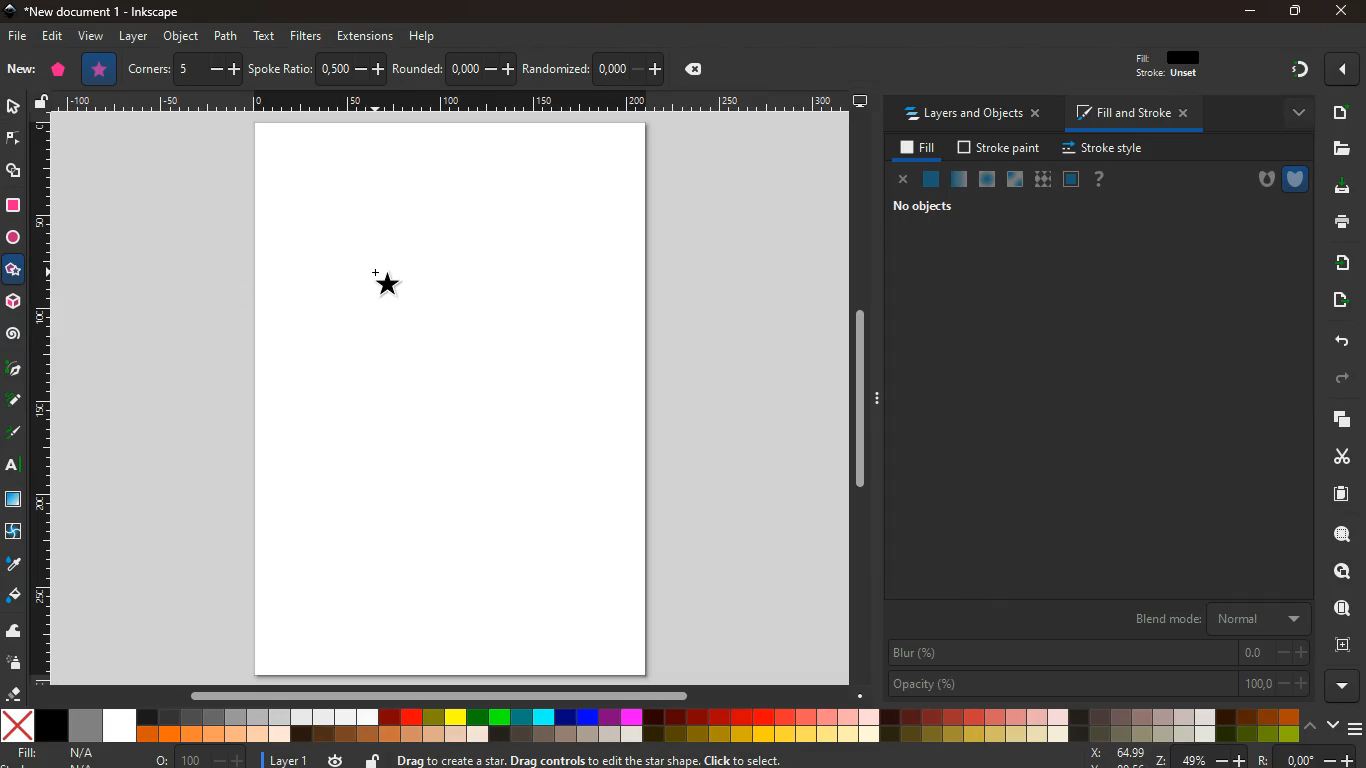 This screenshot has height=768, width=1366. I want to click on layers, so click(1334, 419).